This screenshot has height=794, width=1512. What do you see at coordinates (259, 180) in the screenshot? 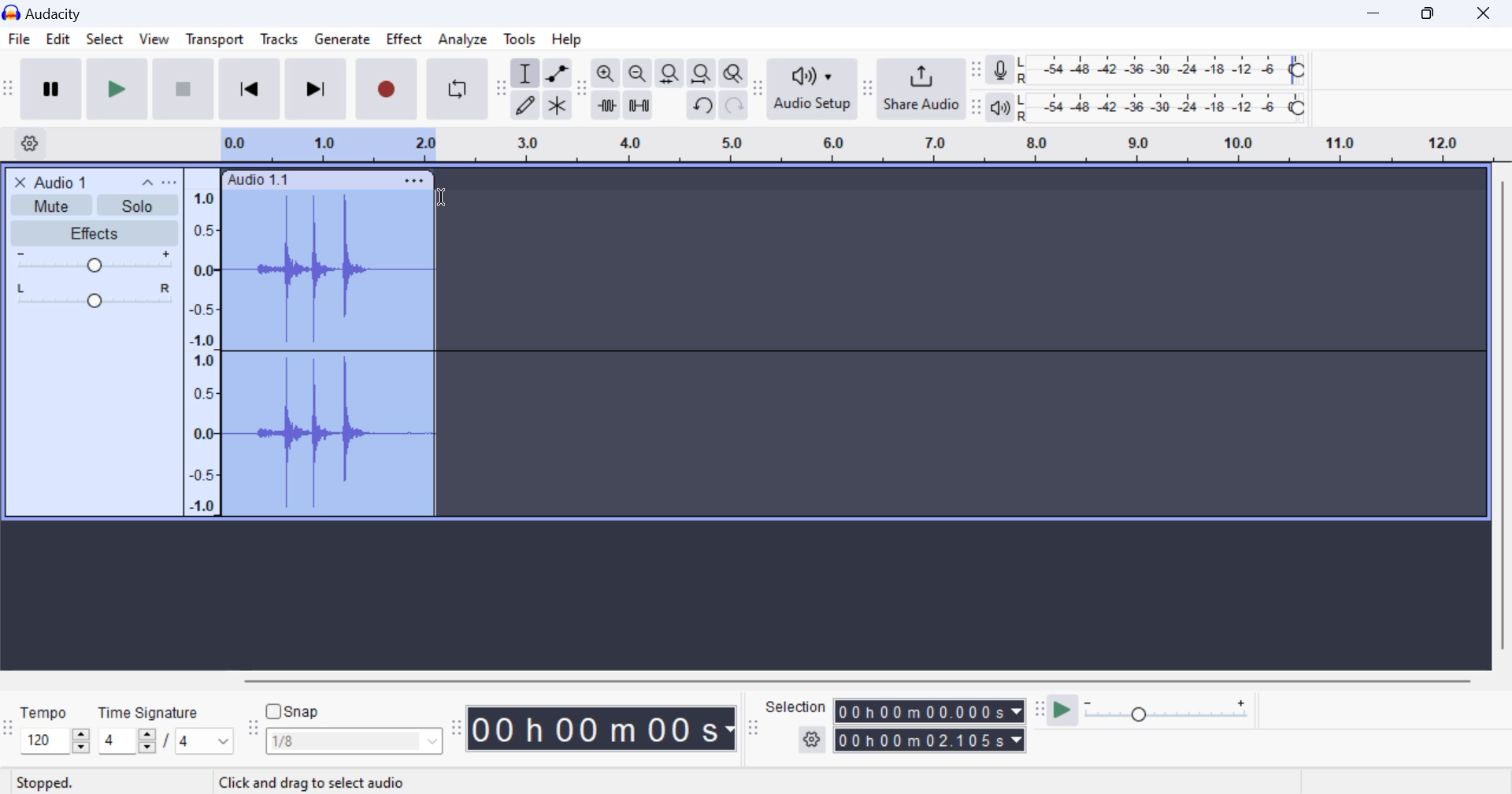
I see `Clip Label` at bounding box center [259, 180].